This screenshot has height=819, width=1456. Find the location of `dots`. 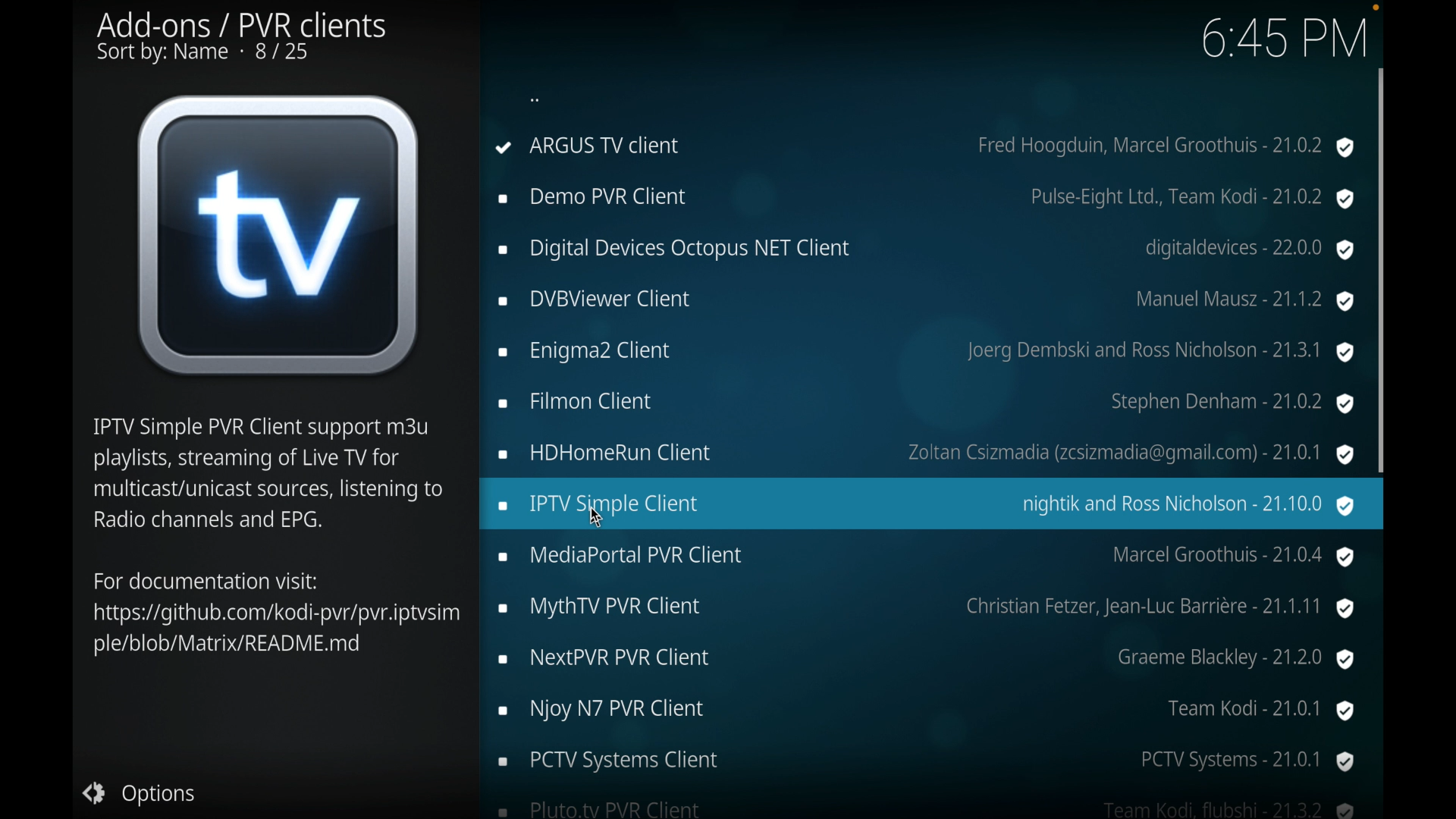

dots is located at coordinates (533, 99).